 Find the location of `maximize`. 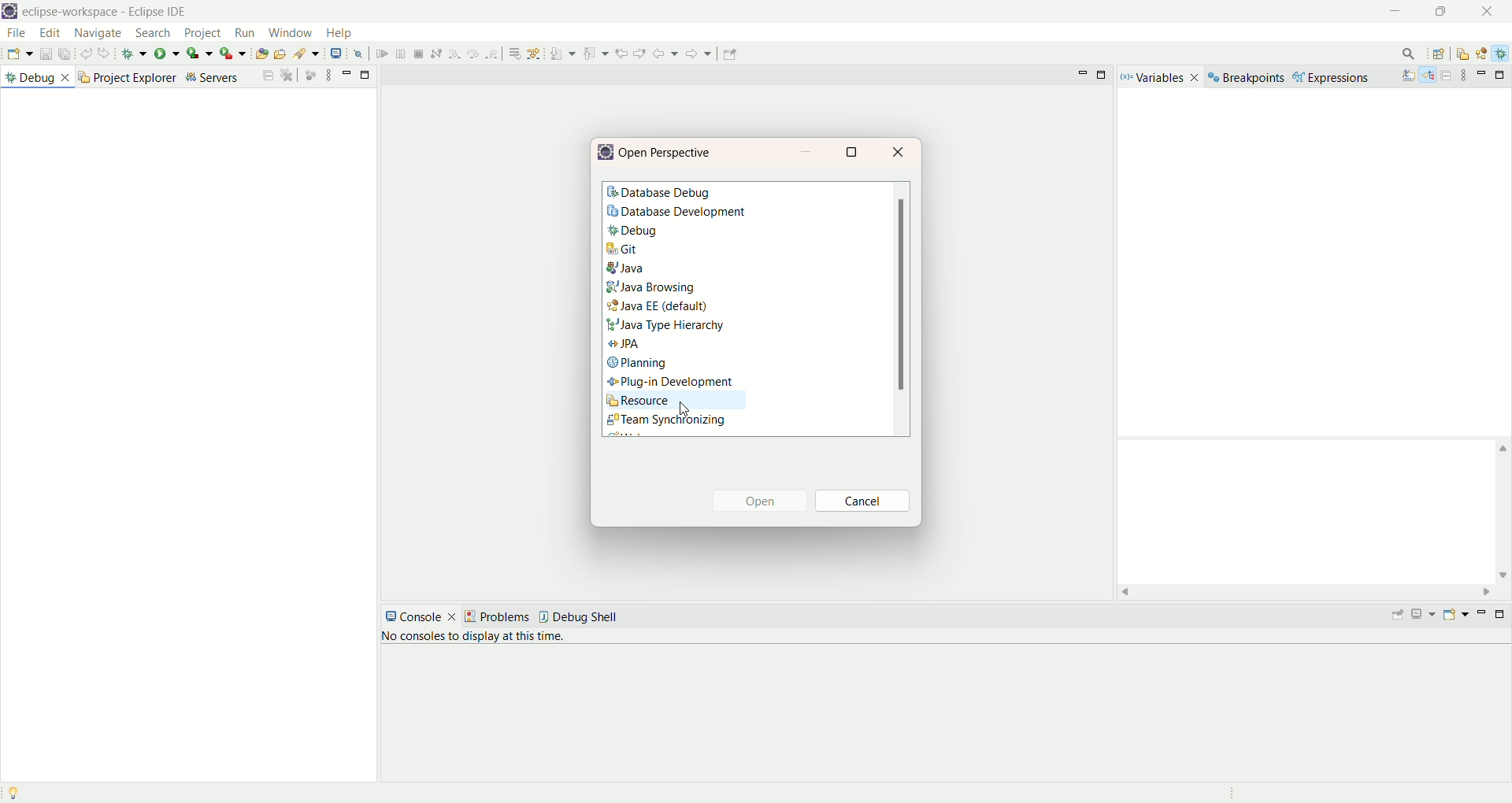

maximize is located at coordinates (1104, 77).